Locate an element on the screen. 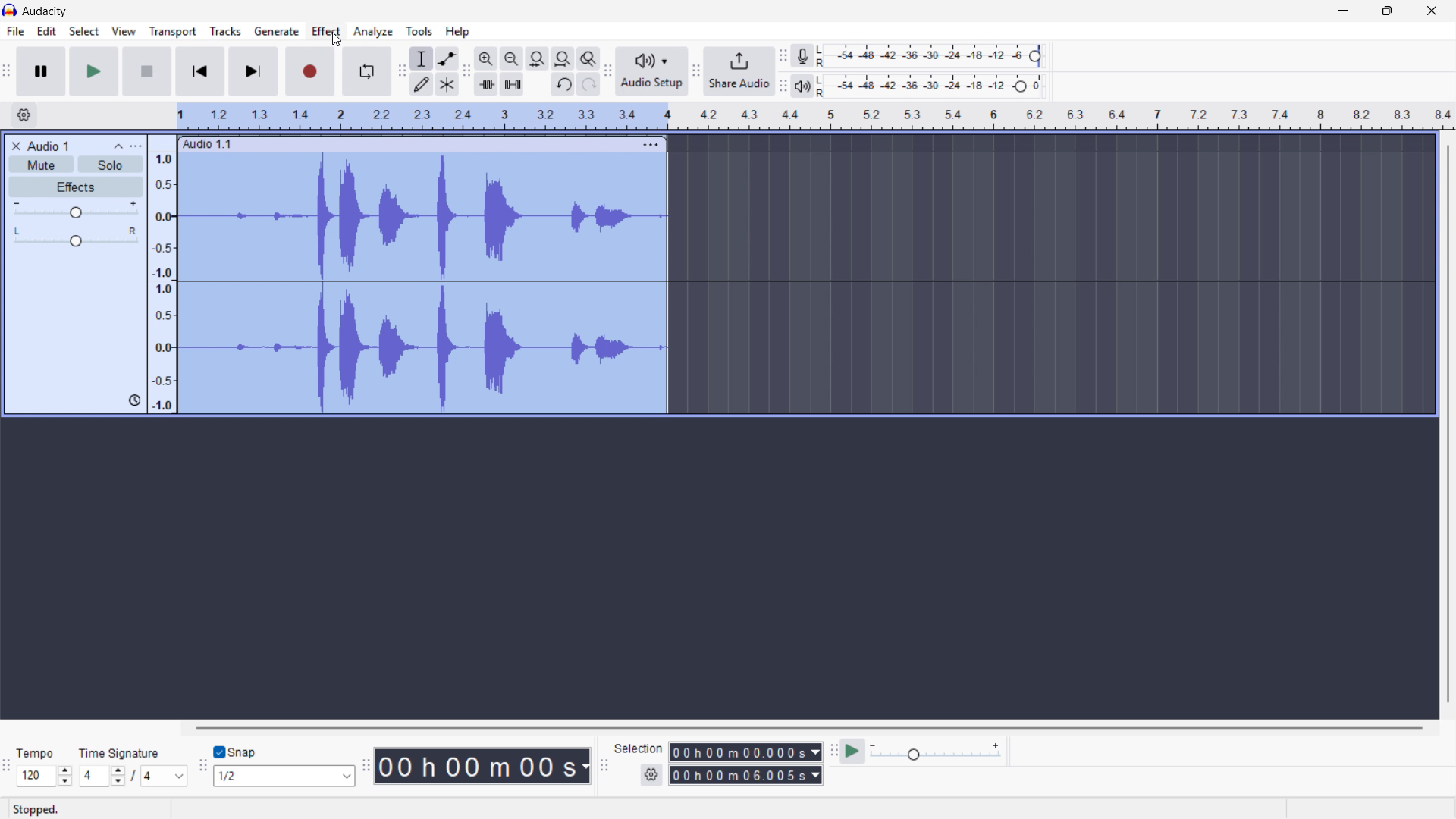  Draw tool is located at coordinates (422, 83).